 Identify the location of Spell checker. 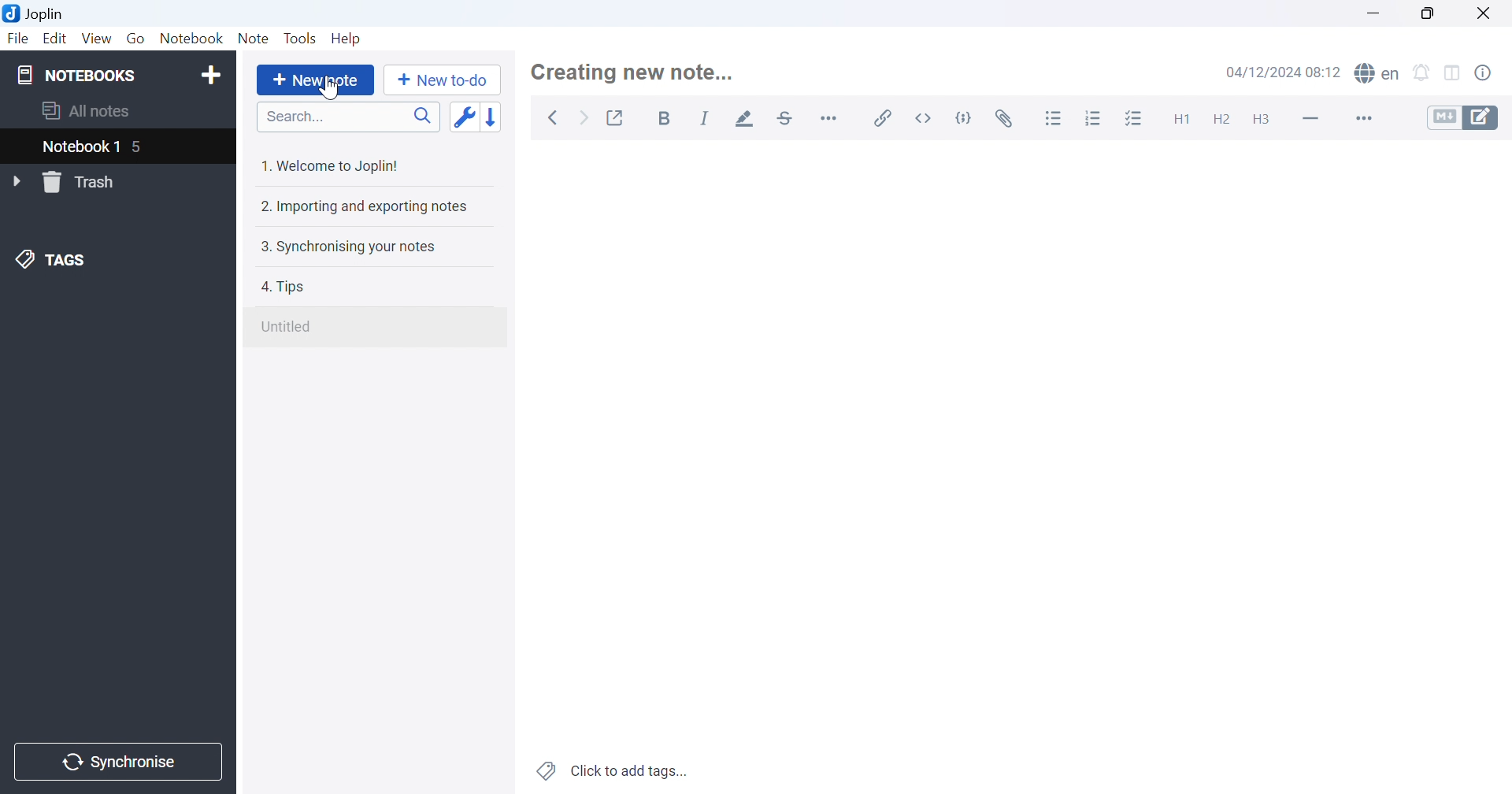
(1379, 74).